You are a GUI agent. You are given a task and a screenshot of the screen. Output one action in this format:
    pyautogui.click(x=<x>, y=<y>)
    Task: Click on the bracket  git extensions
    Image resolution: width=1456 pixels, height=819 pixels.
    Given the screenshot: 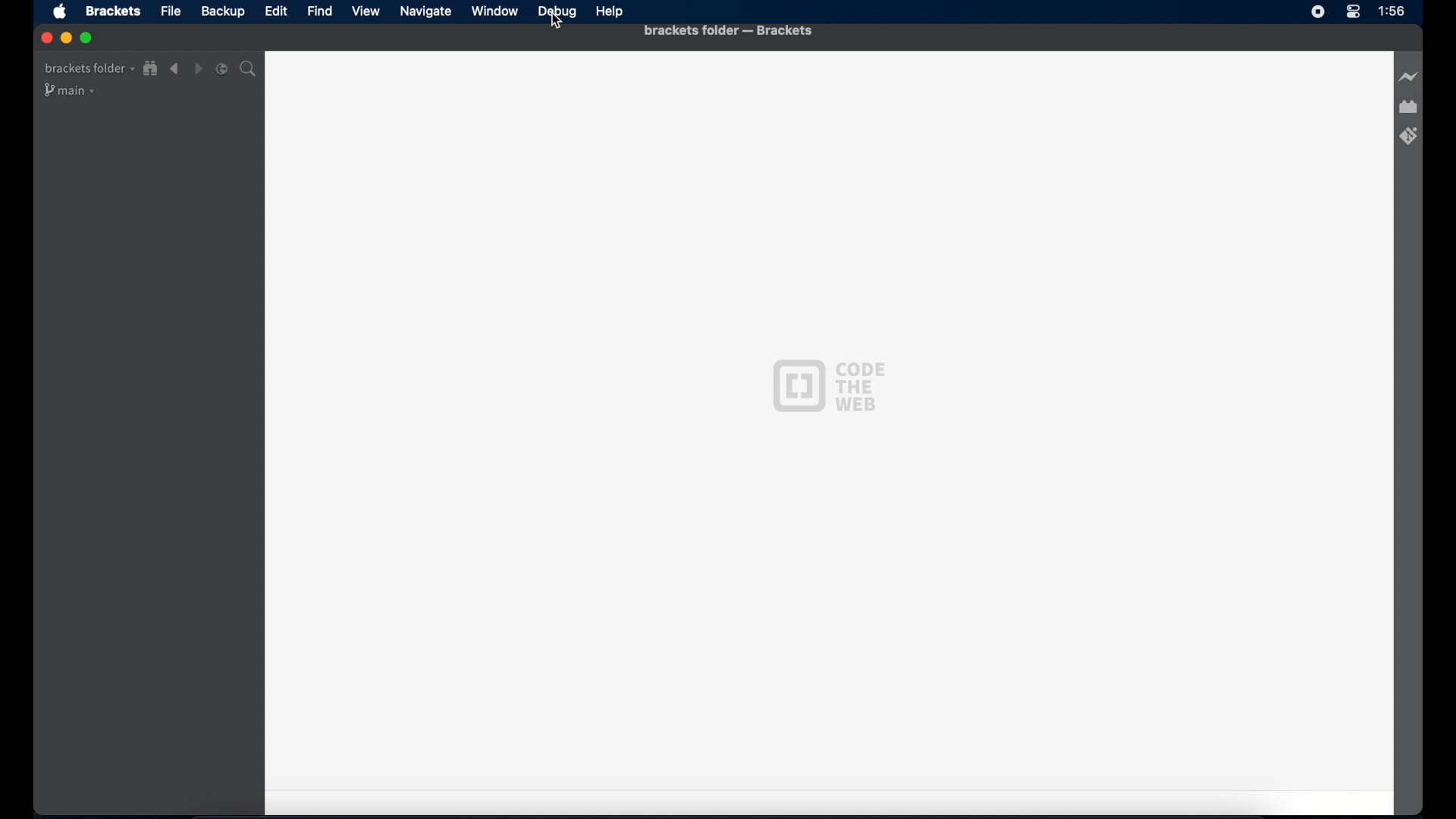 What is the action you would take?
    pyautogui.click(x=1410, y=136)
    